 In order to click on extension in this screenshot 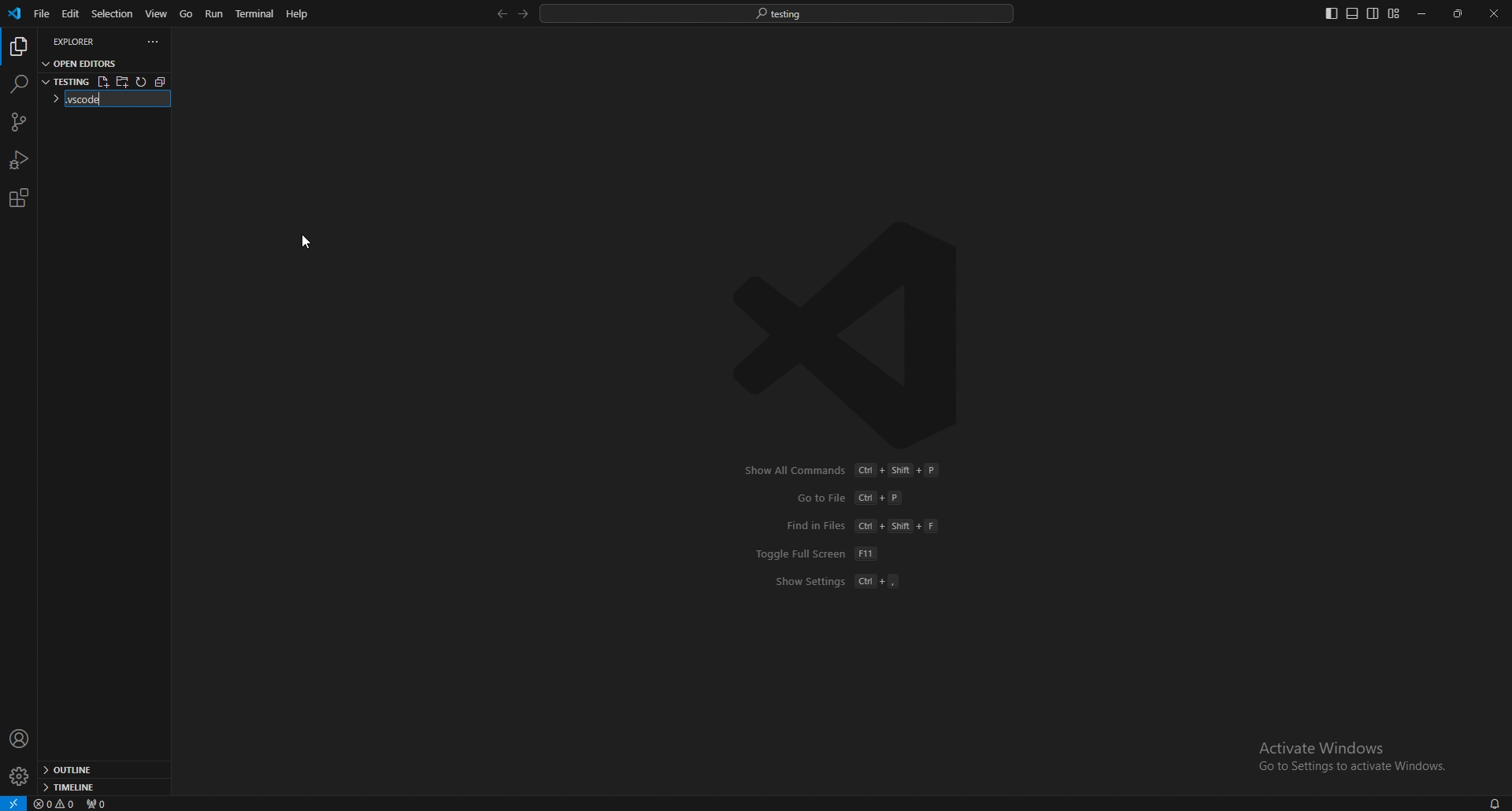, I will do `click(18, 198)`.